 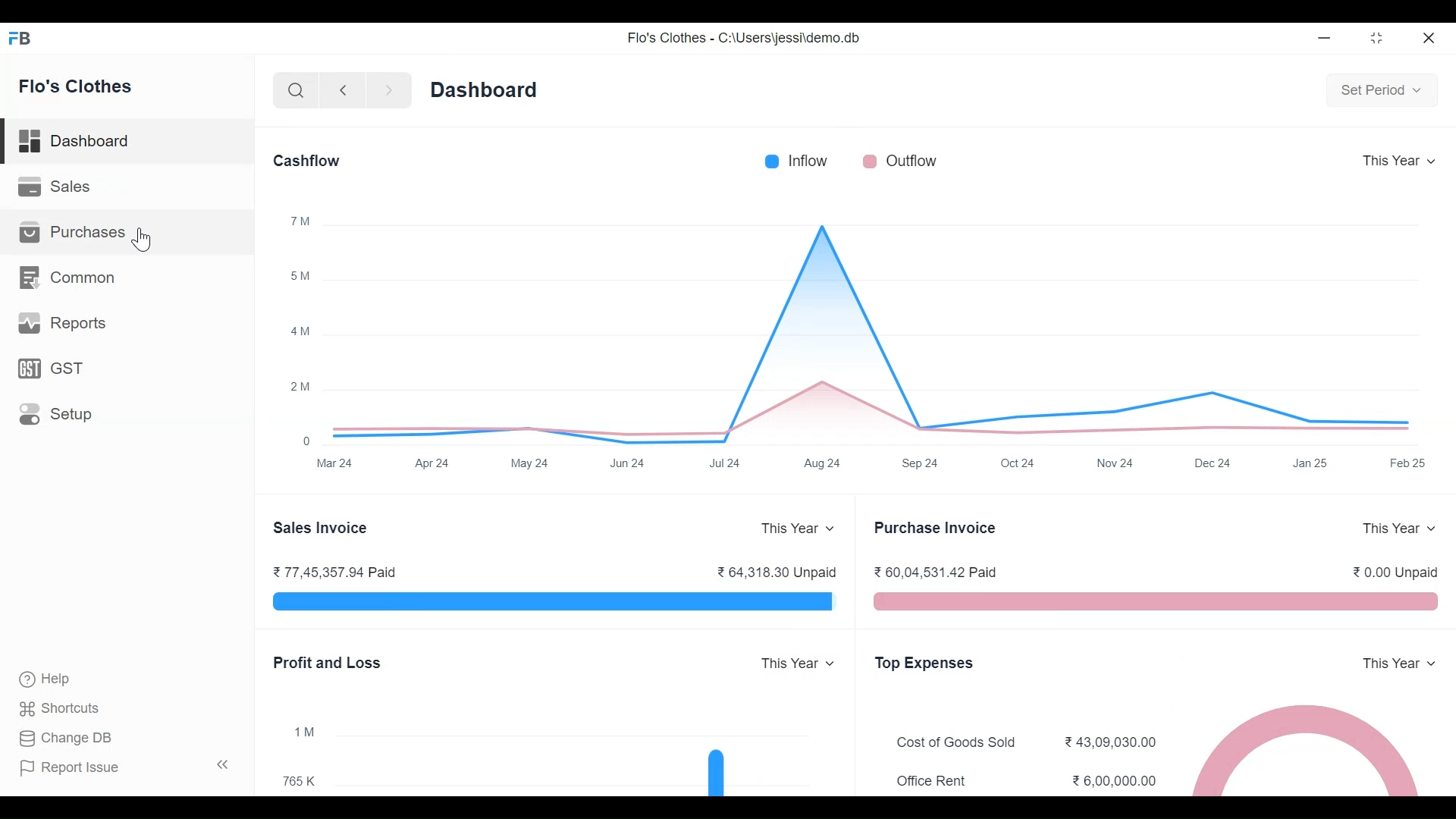 What do you see at coordinates (797, 664) in the screenshot?
I see `This Year` at bounding box center [797, 664].